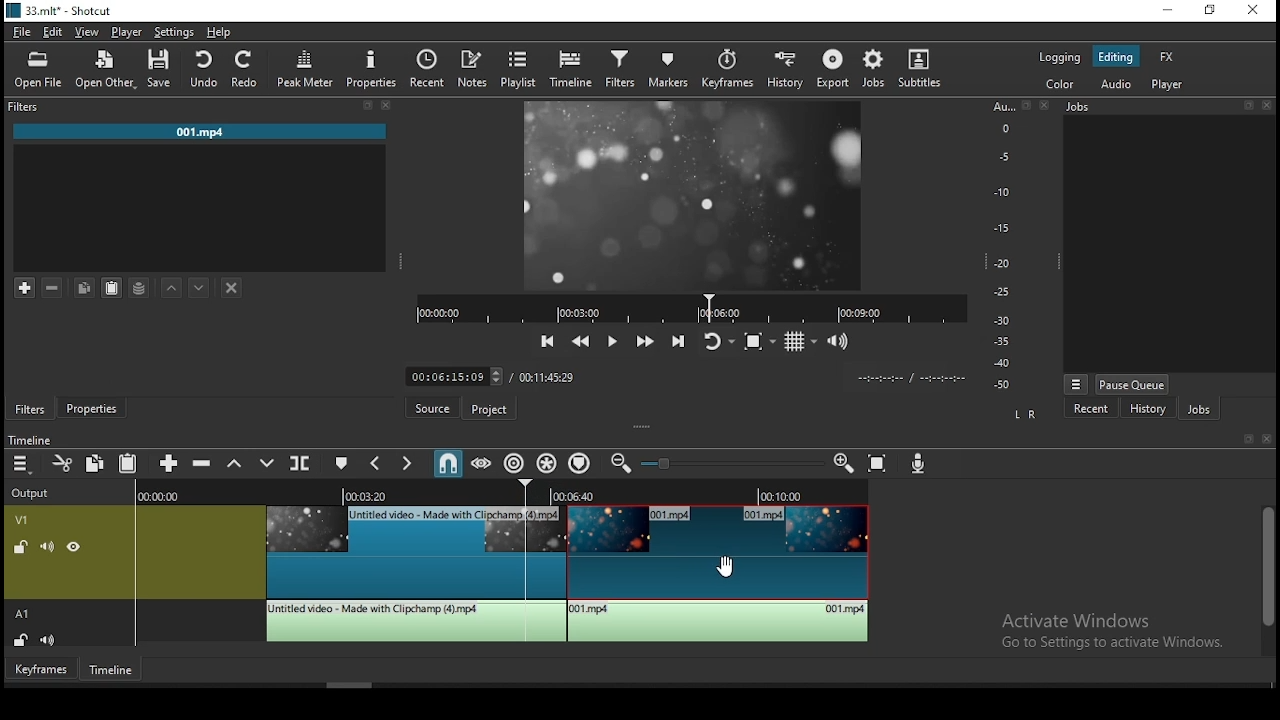 The width and height of the screenshot is (1280, 720). Describe the element at coordinates (371, 463) in the screenshot. I see `previous marker` at that location.